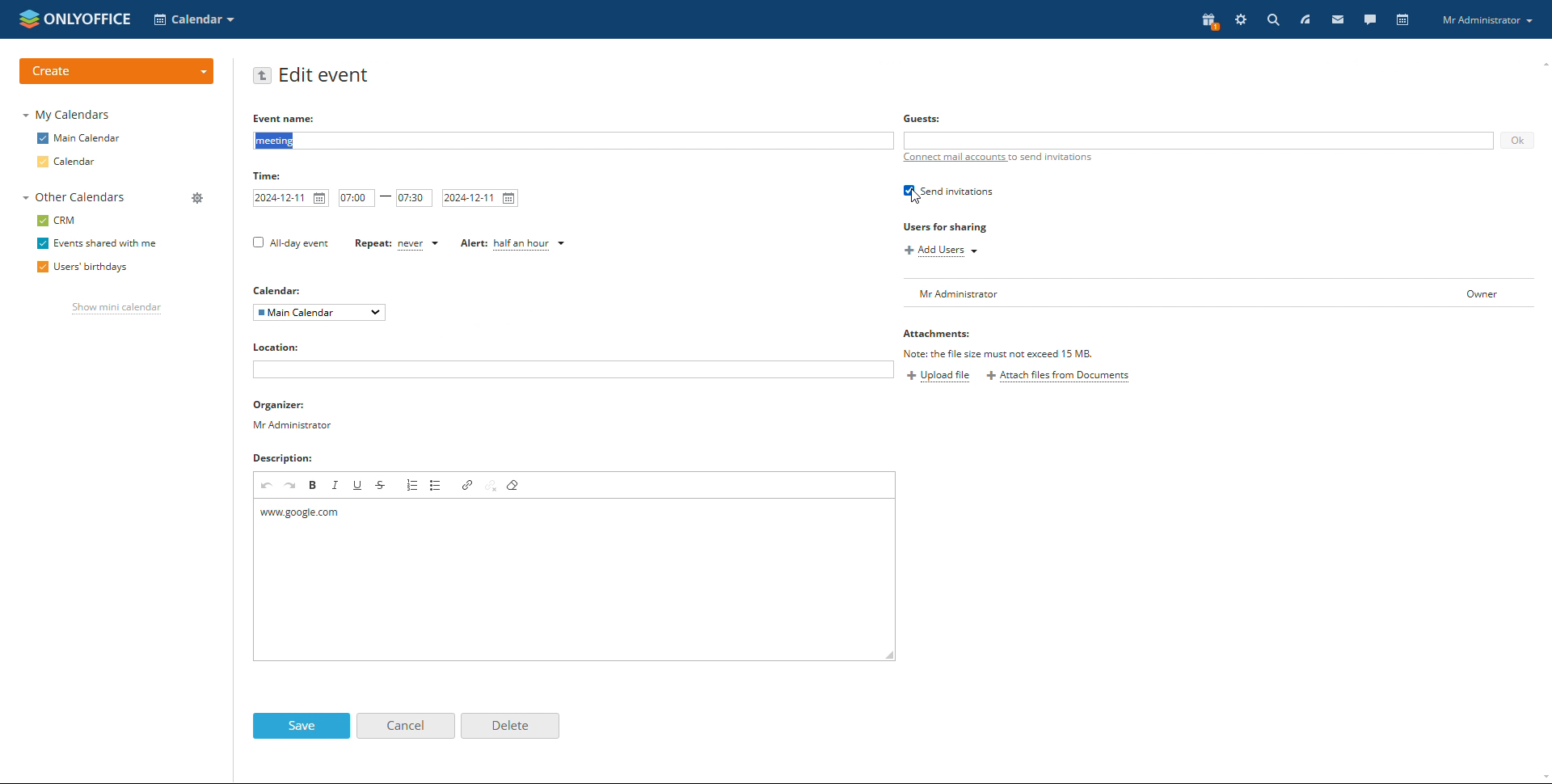 This screenshot has width=1552, height=784. Describe the element at coordinates (1484, 19) in the screenshot. I see `profile` at that location.